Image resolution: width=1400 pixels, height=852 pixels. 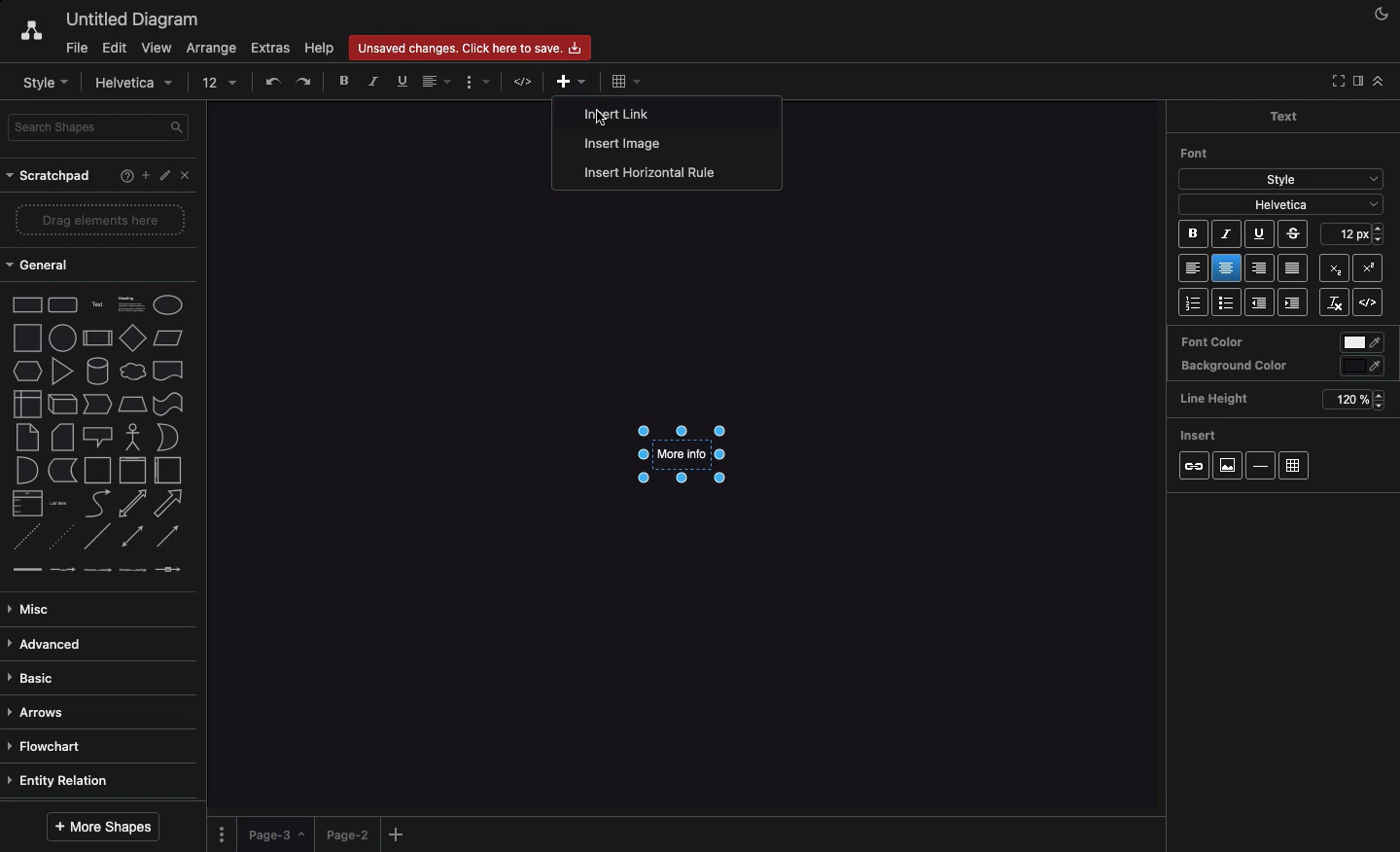 What do you see at coordinates (98, 371) in the screenshot?
I see `cylinder` at bounding box center [98, 371].